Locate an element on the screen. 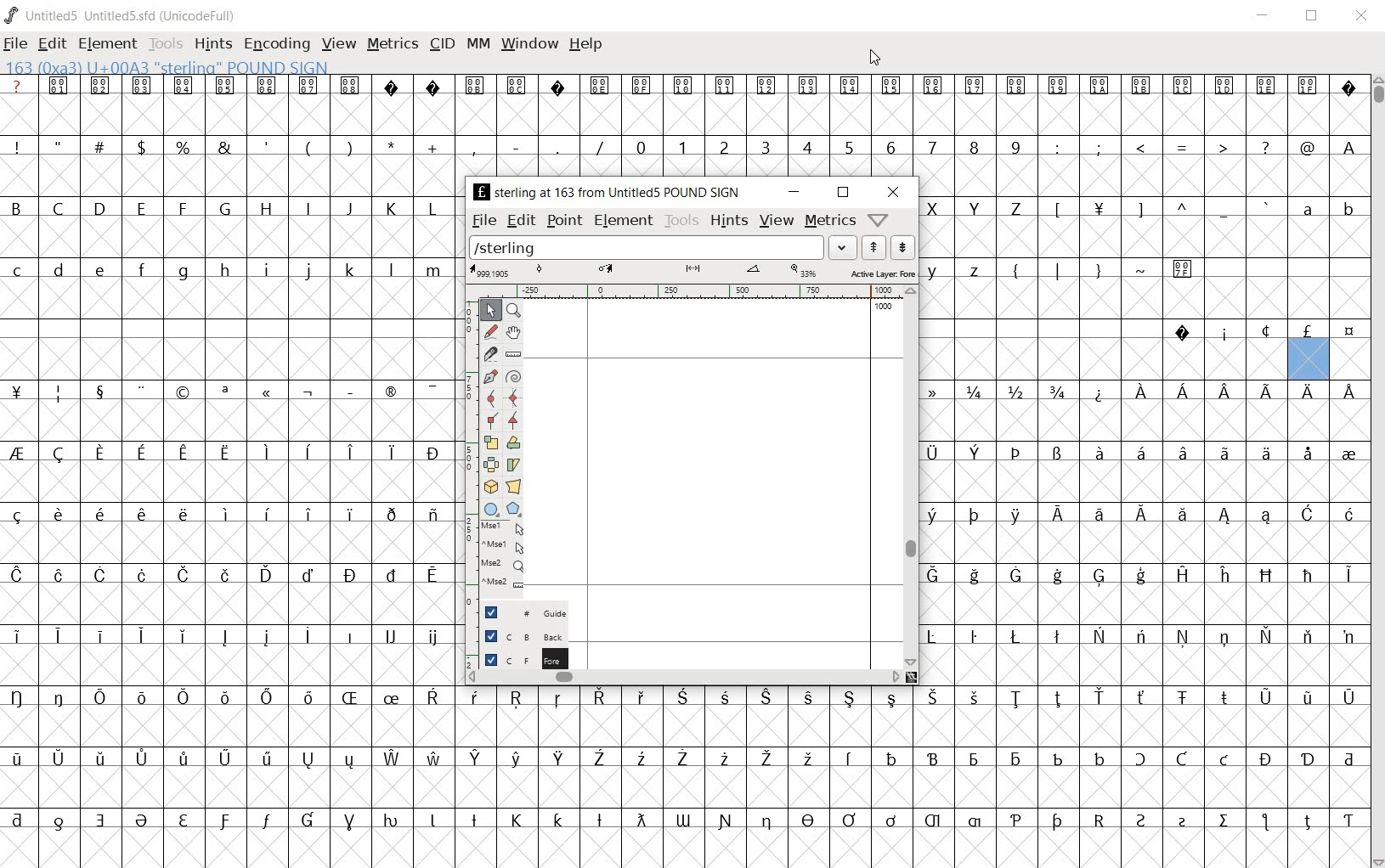  Symbol is located at coordinates (184, 821).